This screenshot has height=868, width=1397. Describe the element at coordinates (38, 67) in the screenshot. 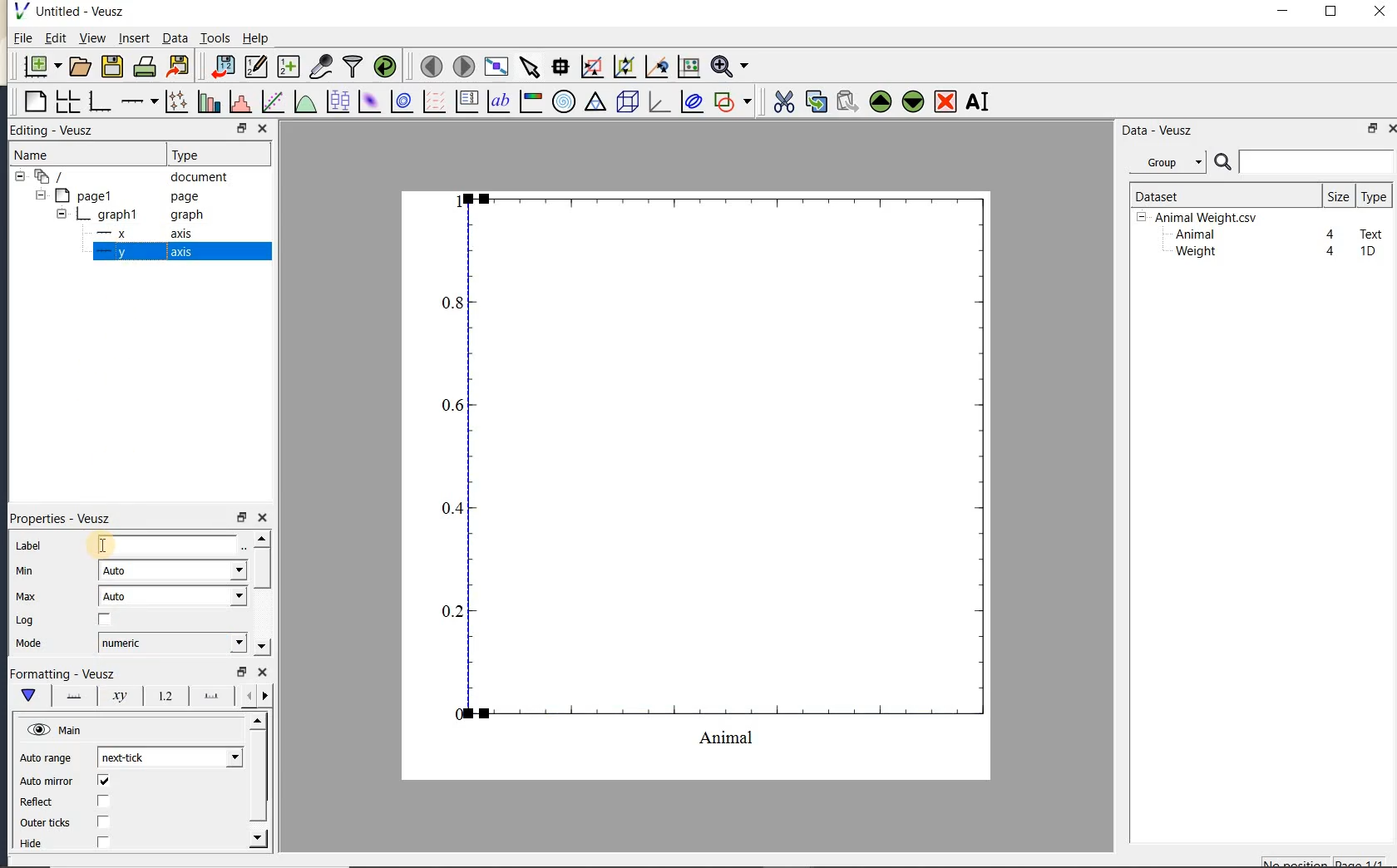

I see `new document` at that location.